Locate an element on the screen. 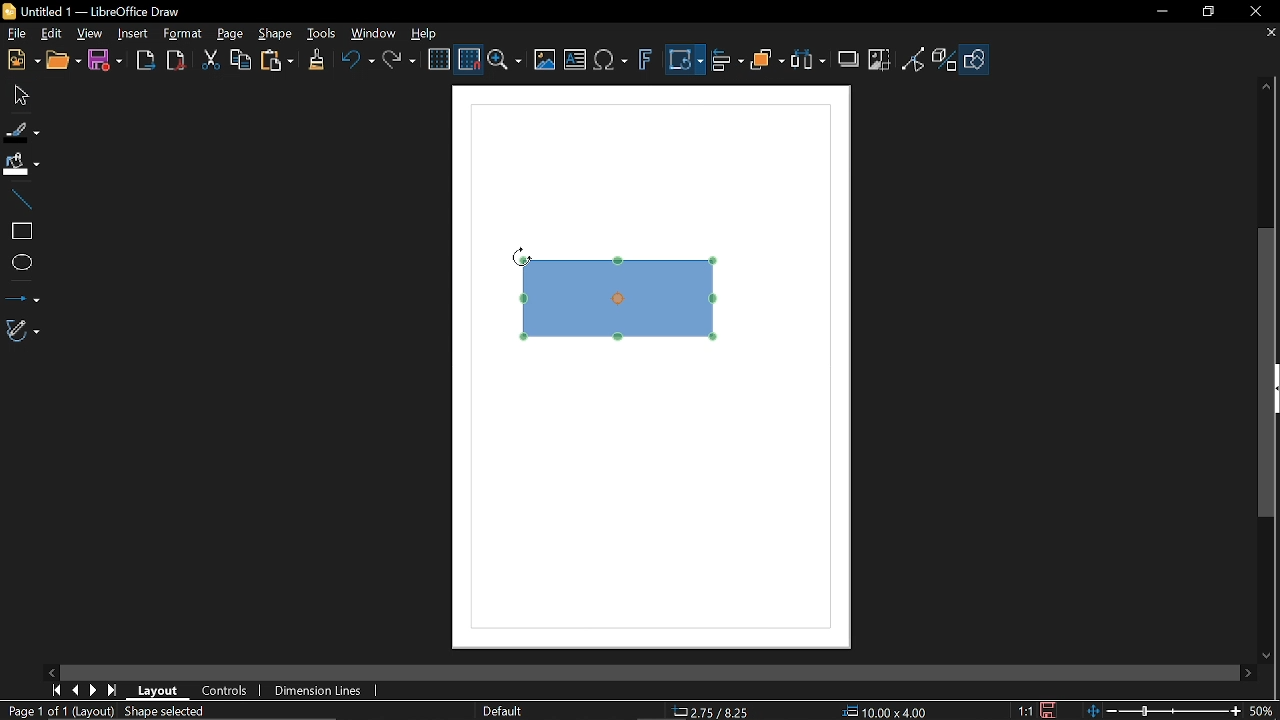 This screenshot has height=720, width=1280. Cursor is located at coordinates (521, 257).